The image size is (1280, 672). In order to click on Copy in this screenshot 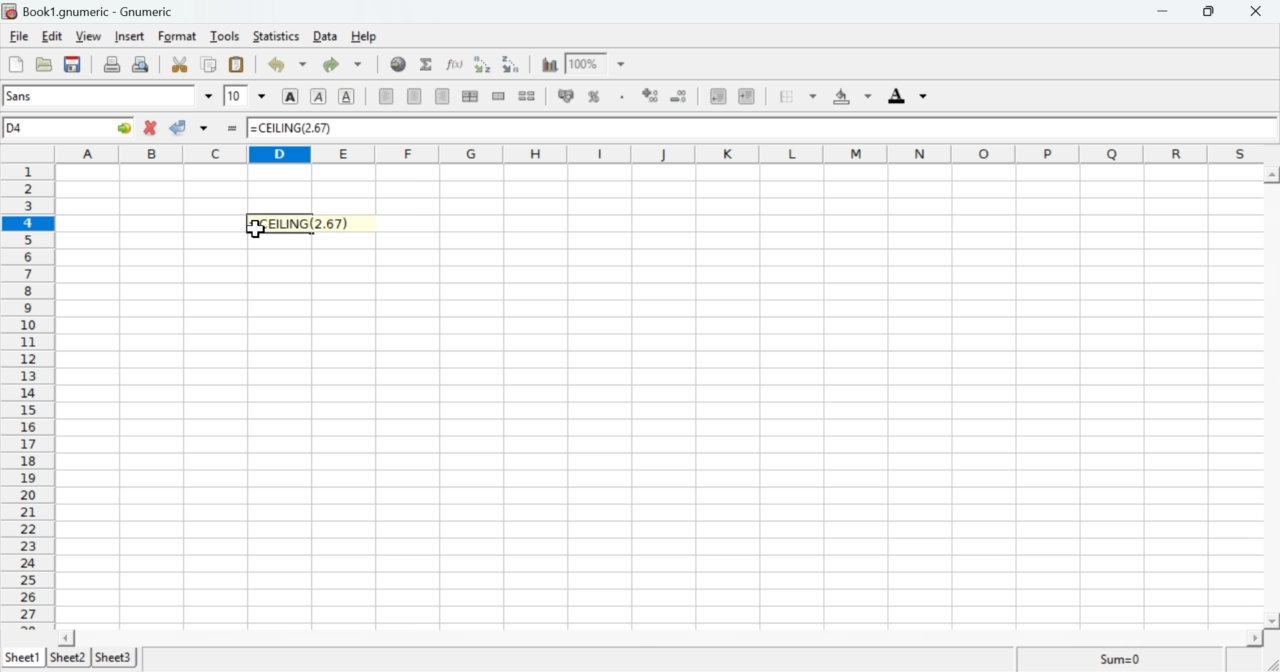, I will do `click(209, 65)`.